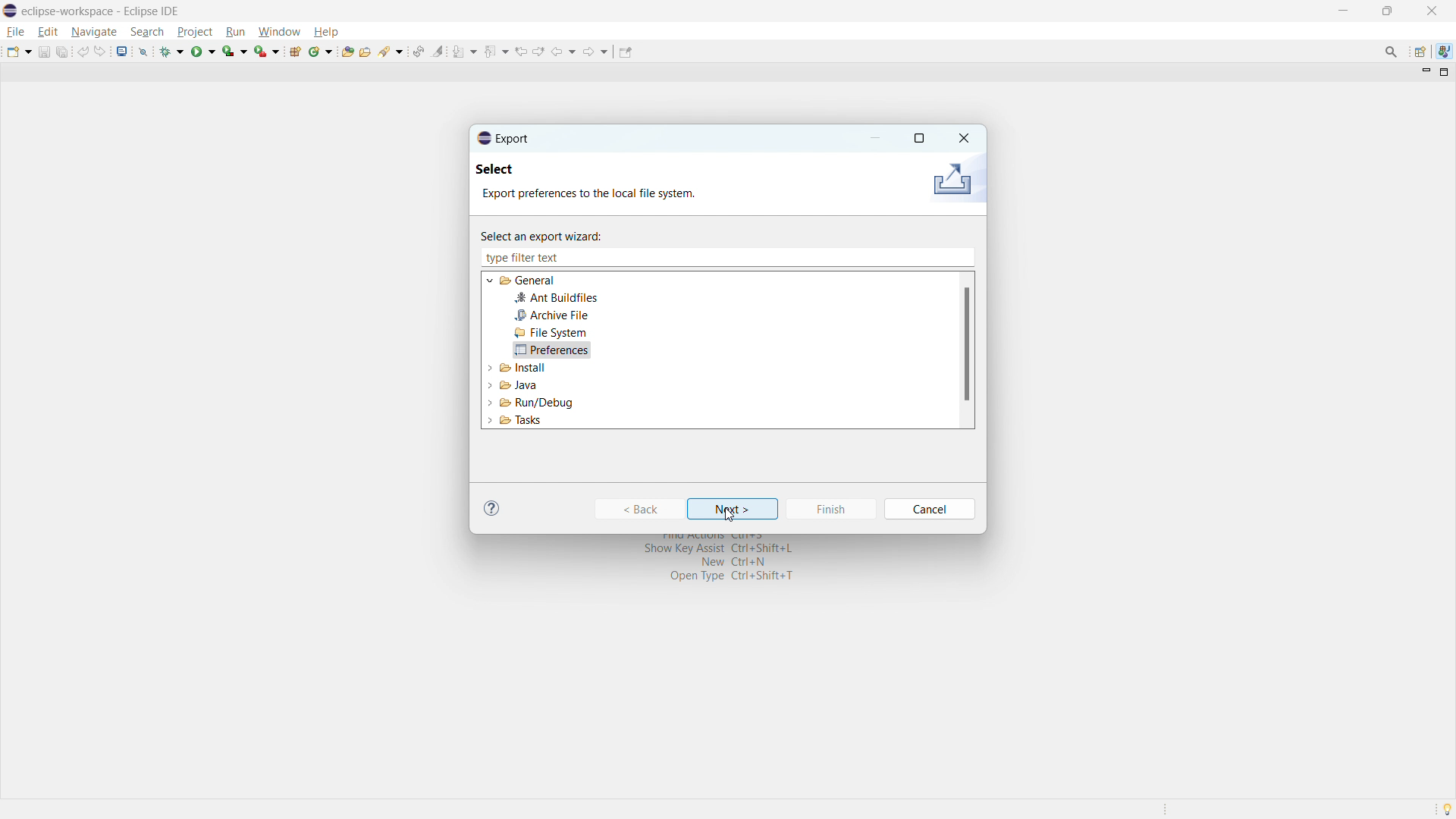 This screenshot has height=819, width=1456. I want to click on toggle ant editor auto reconcile, so click(418, 51).